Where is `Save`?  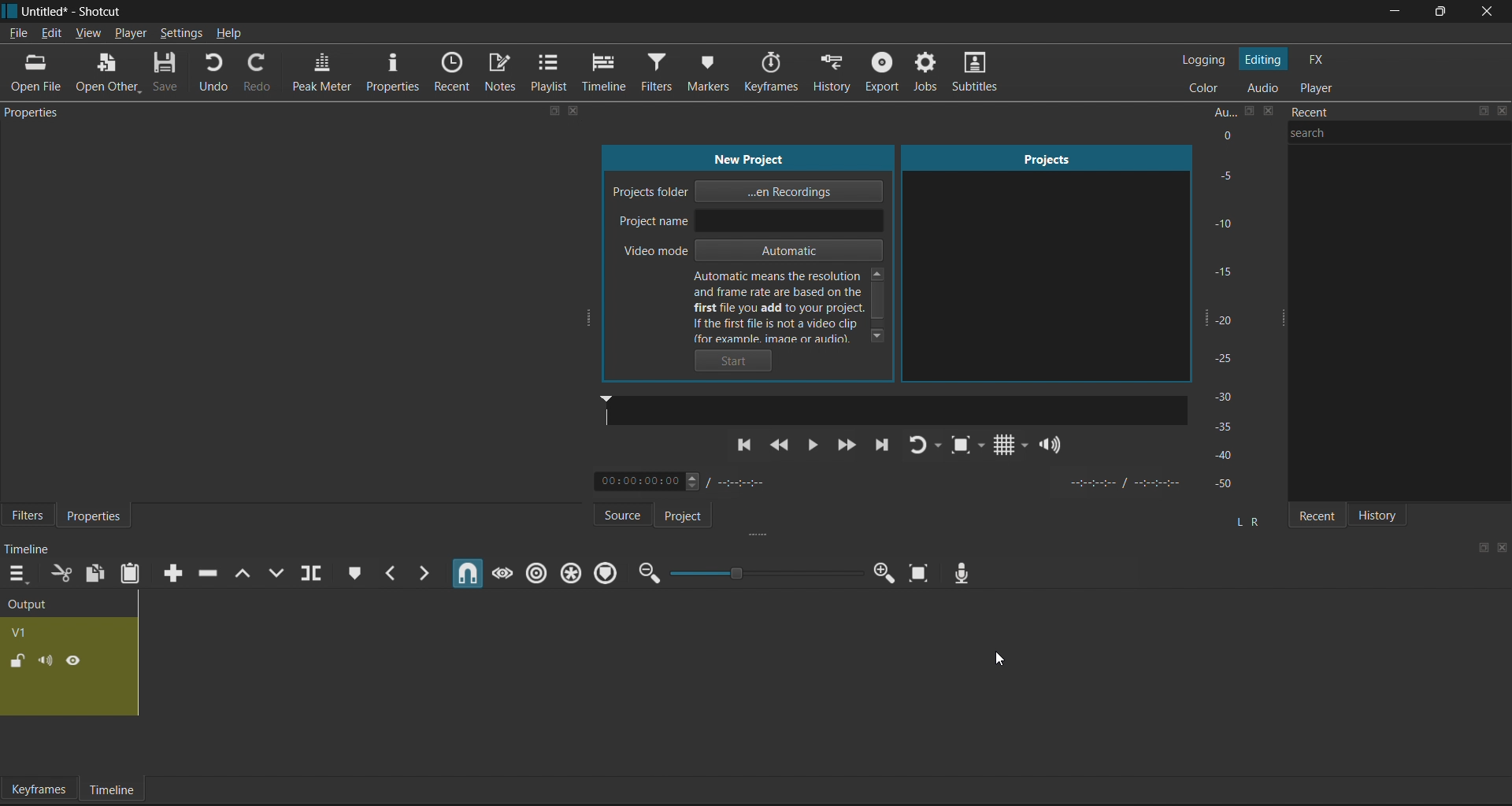 Save is located at coordinates (167, 74).